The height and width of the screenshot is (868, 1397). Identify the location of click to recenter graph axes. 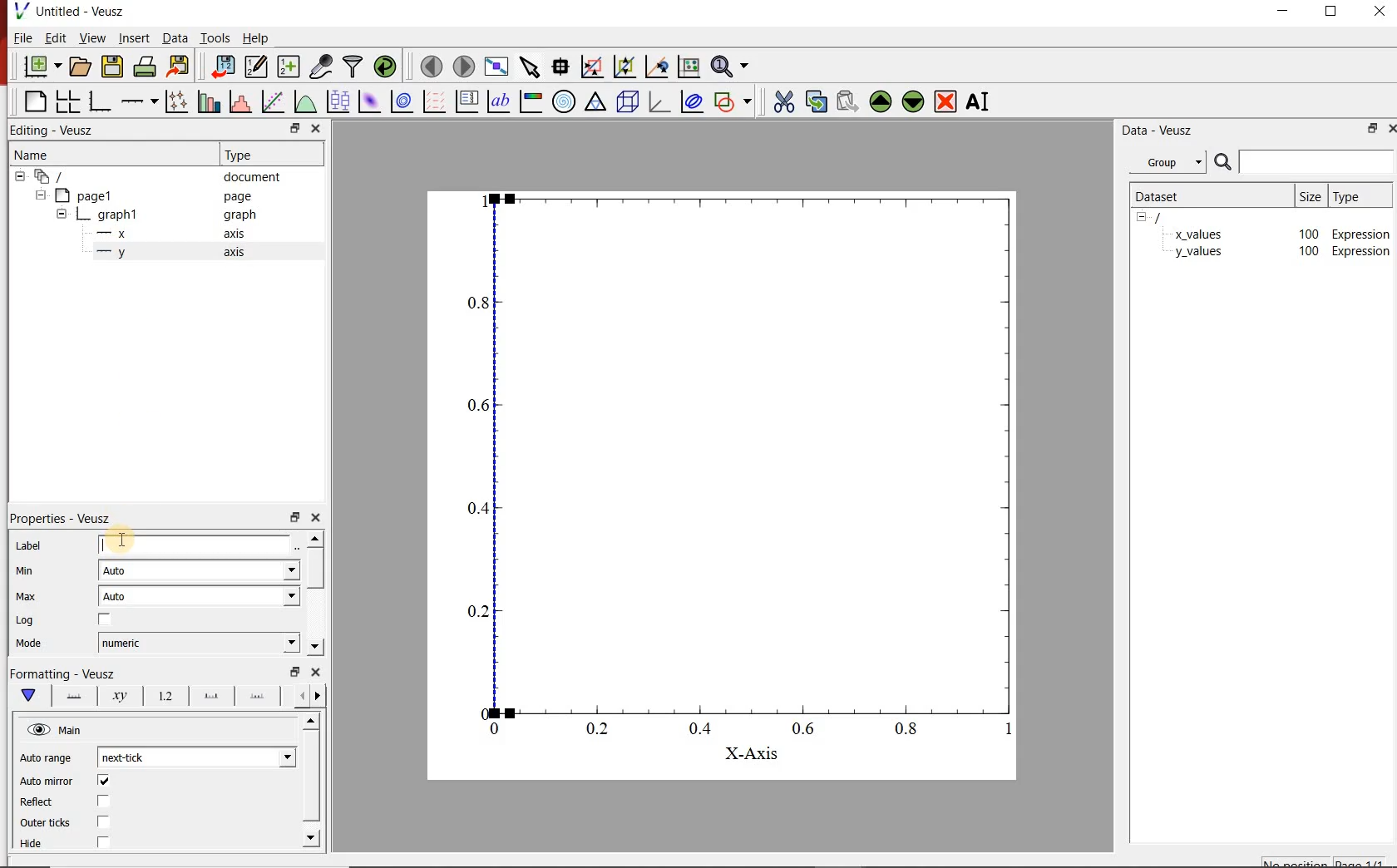
(656, 67).